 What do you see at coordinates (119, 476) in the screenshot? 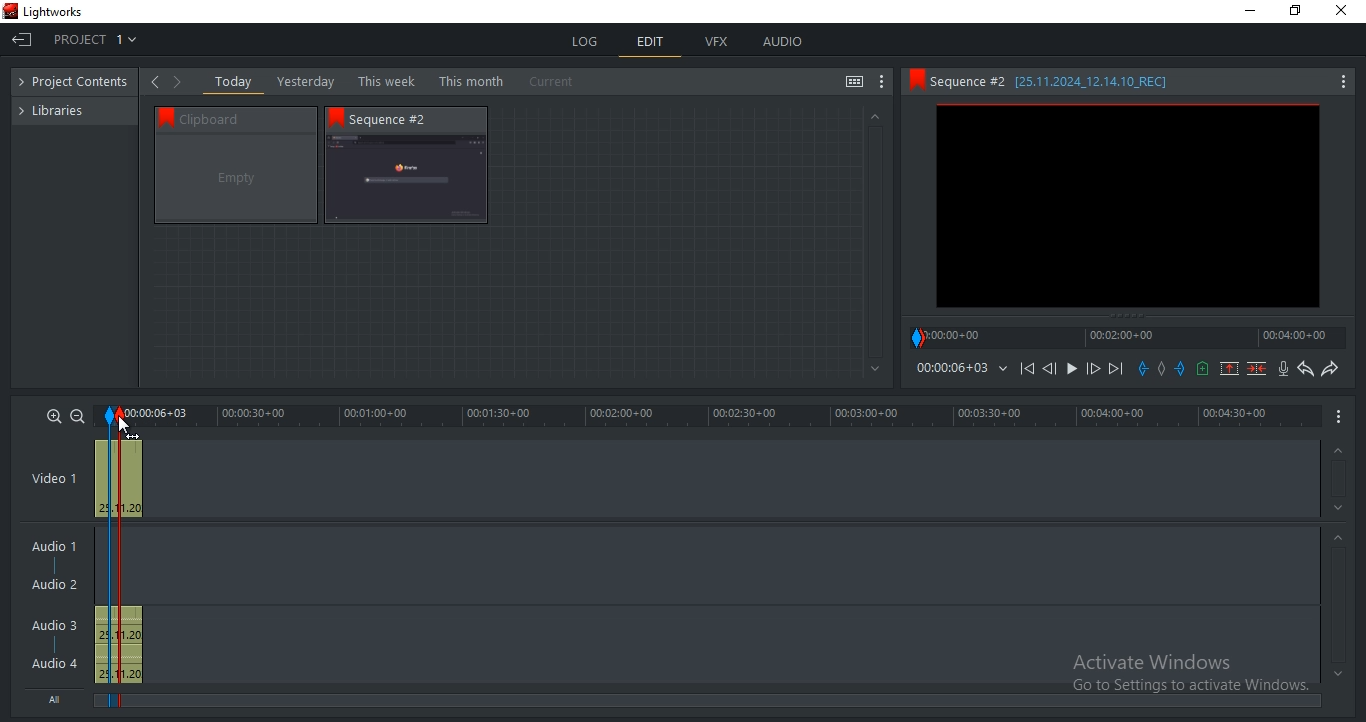
I see `video` at bounding box center [119, 476].